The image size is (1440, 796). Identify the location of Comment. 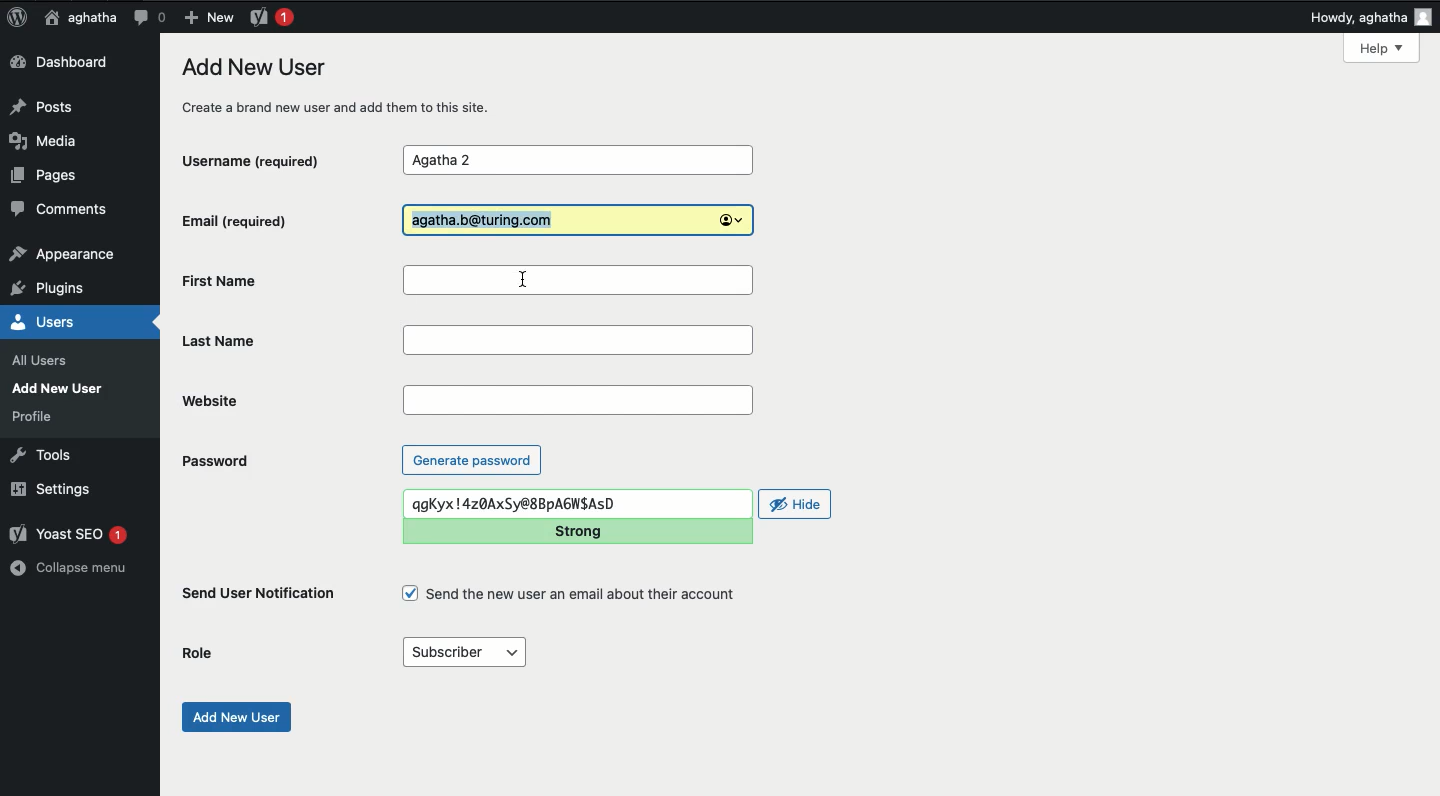
(149, 17).